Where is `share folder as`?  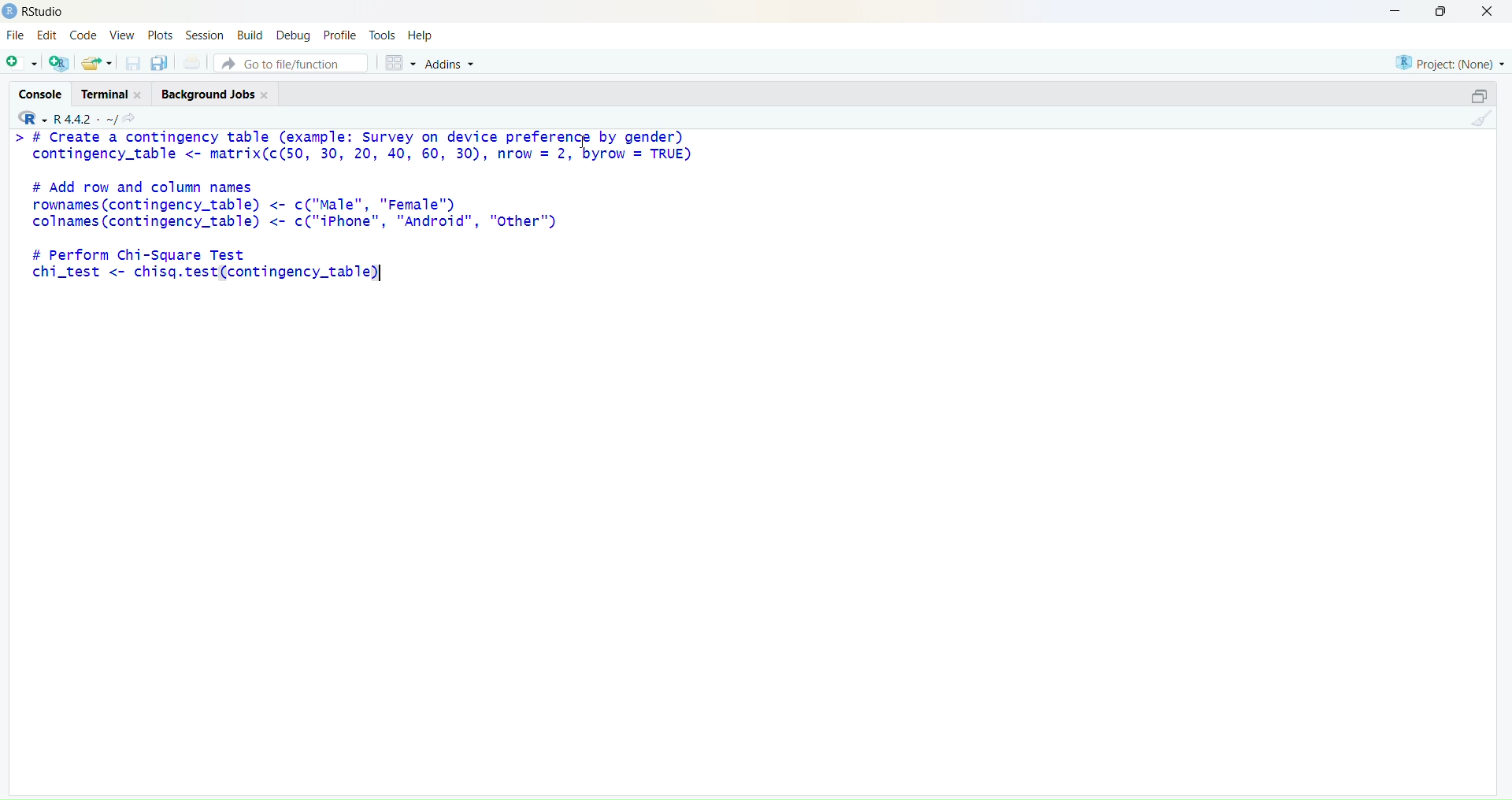
share folder as is located at coordinates (96, 62).